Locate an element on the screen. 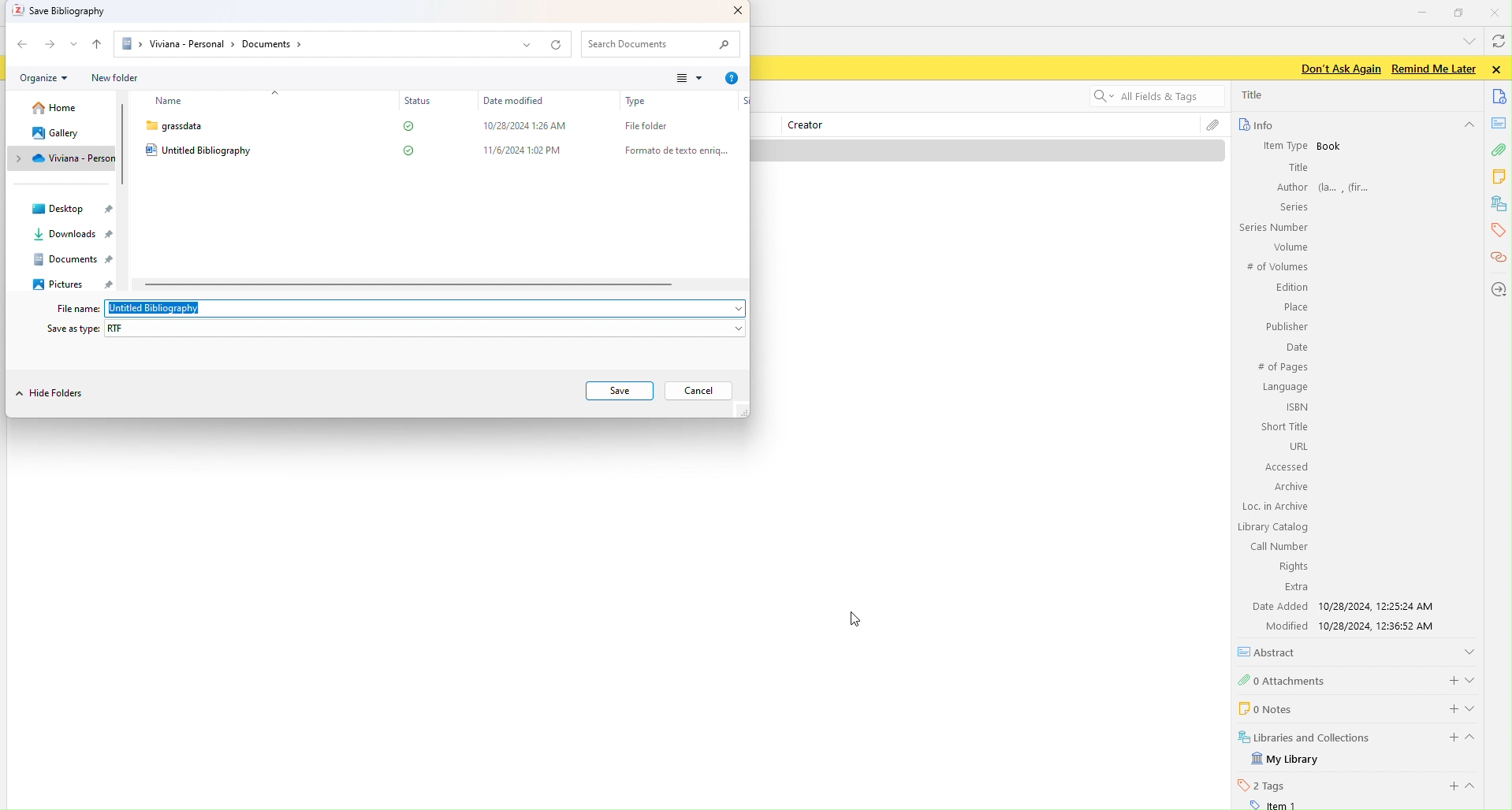 The height and width of the screenshot is (810, 1512). File folder is located at coordinates (640, 124).